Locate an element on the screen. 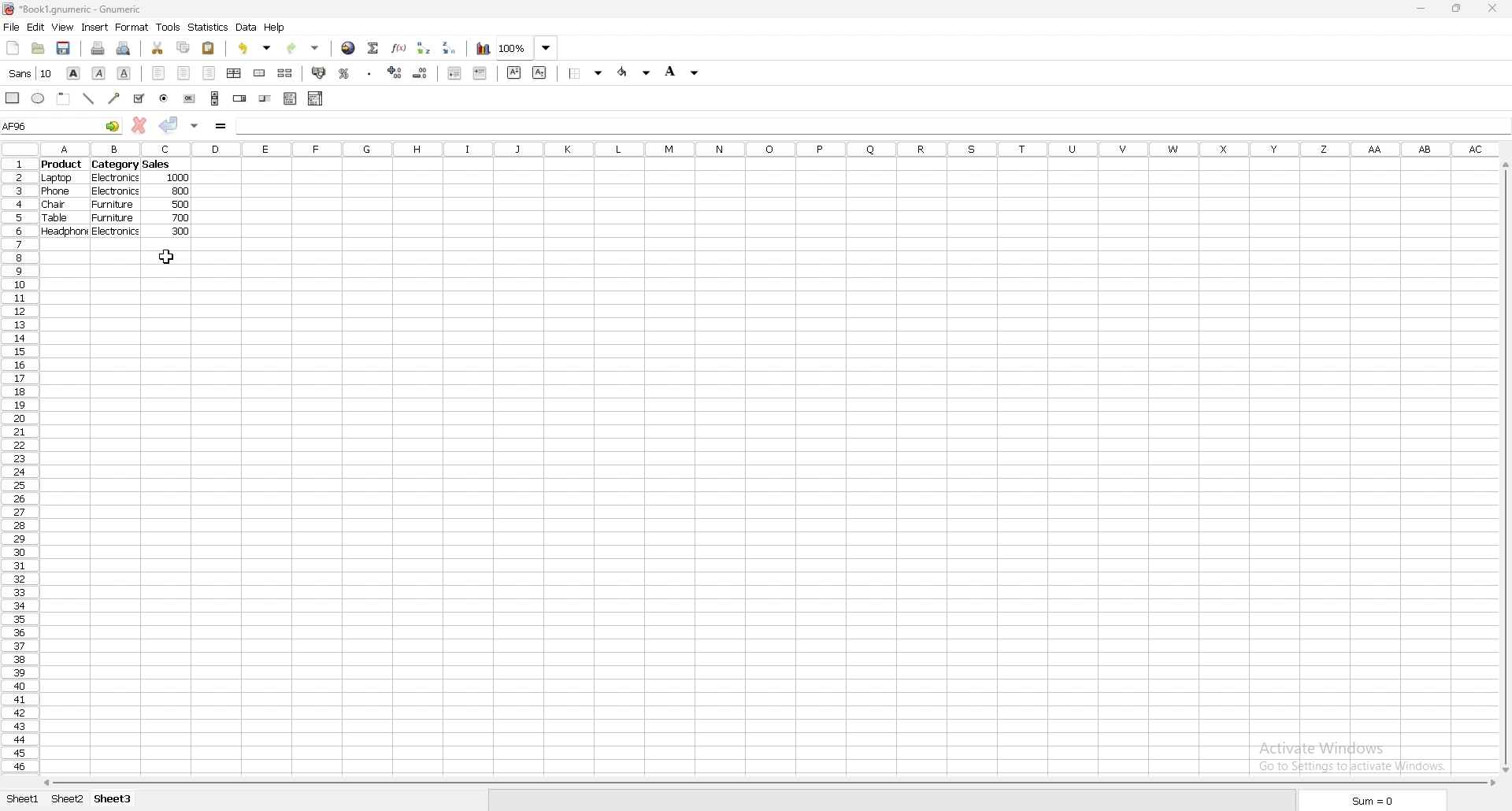  scroll bar is located at coordinates (770, 782).